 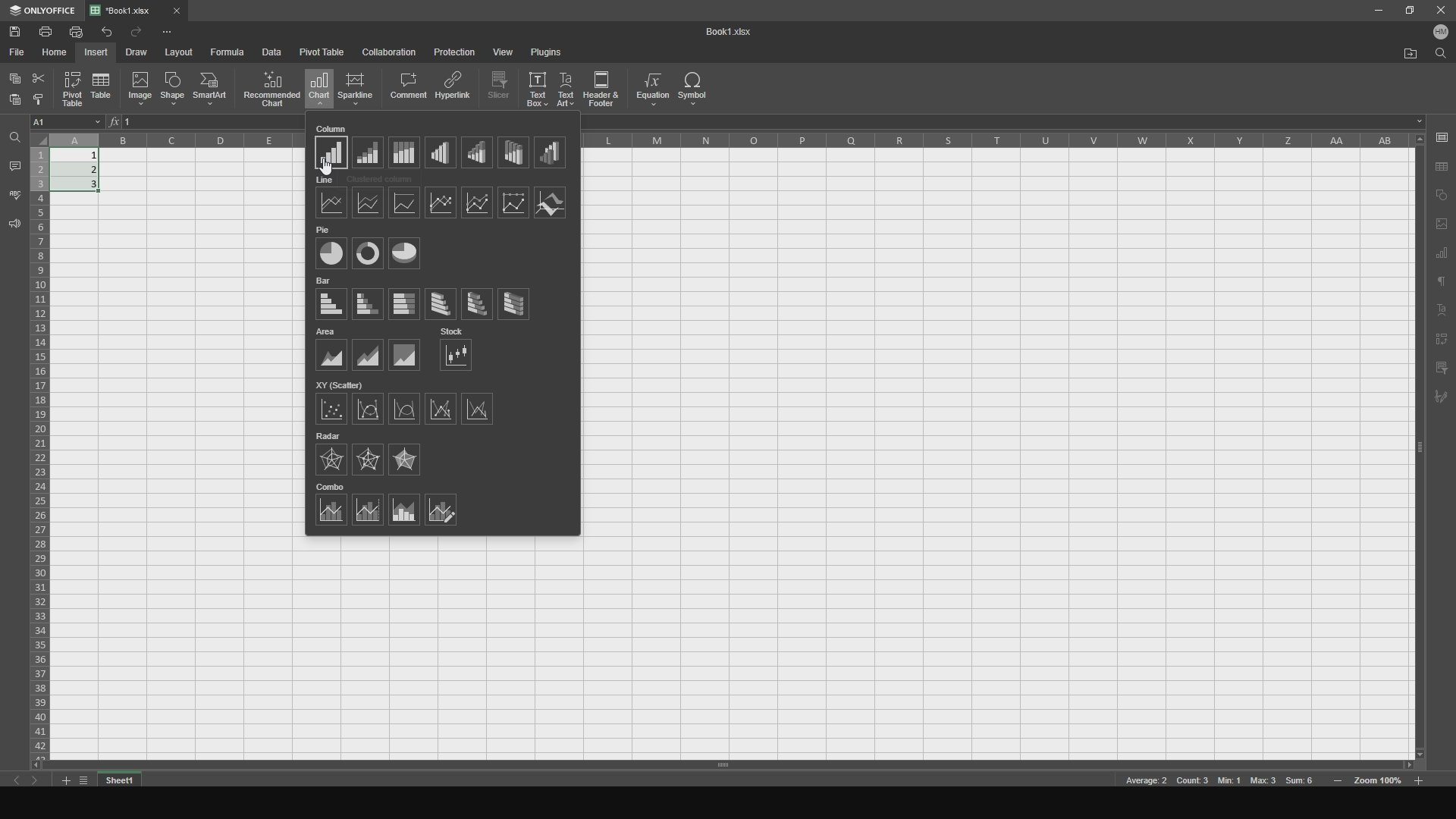 What do you see at coordinates (63, 782) in the screenshot?
I see `add tab` at bounding box center [63, 782].